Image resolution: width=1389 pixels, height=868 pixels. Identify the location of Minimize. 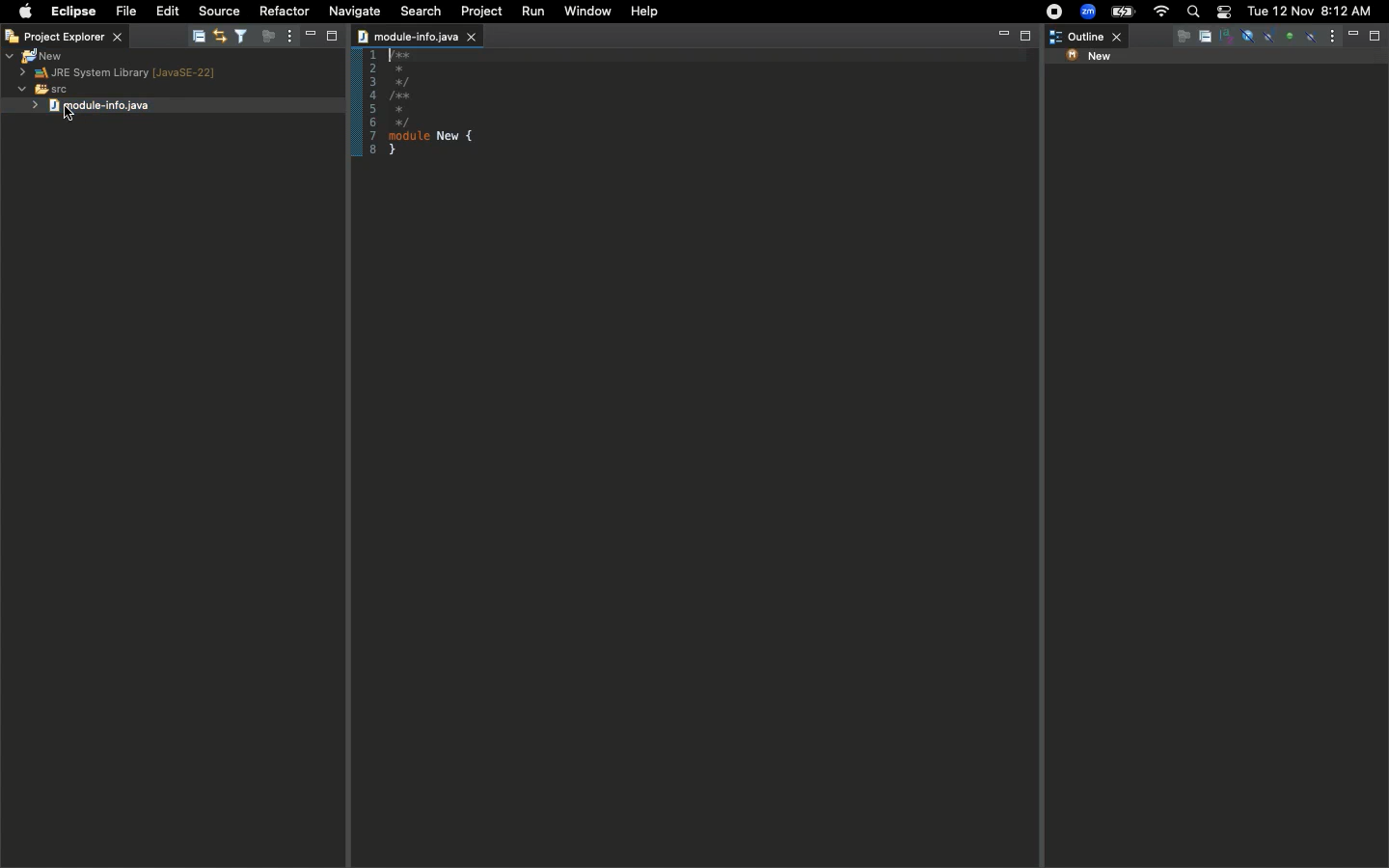
(1000, 35).